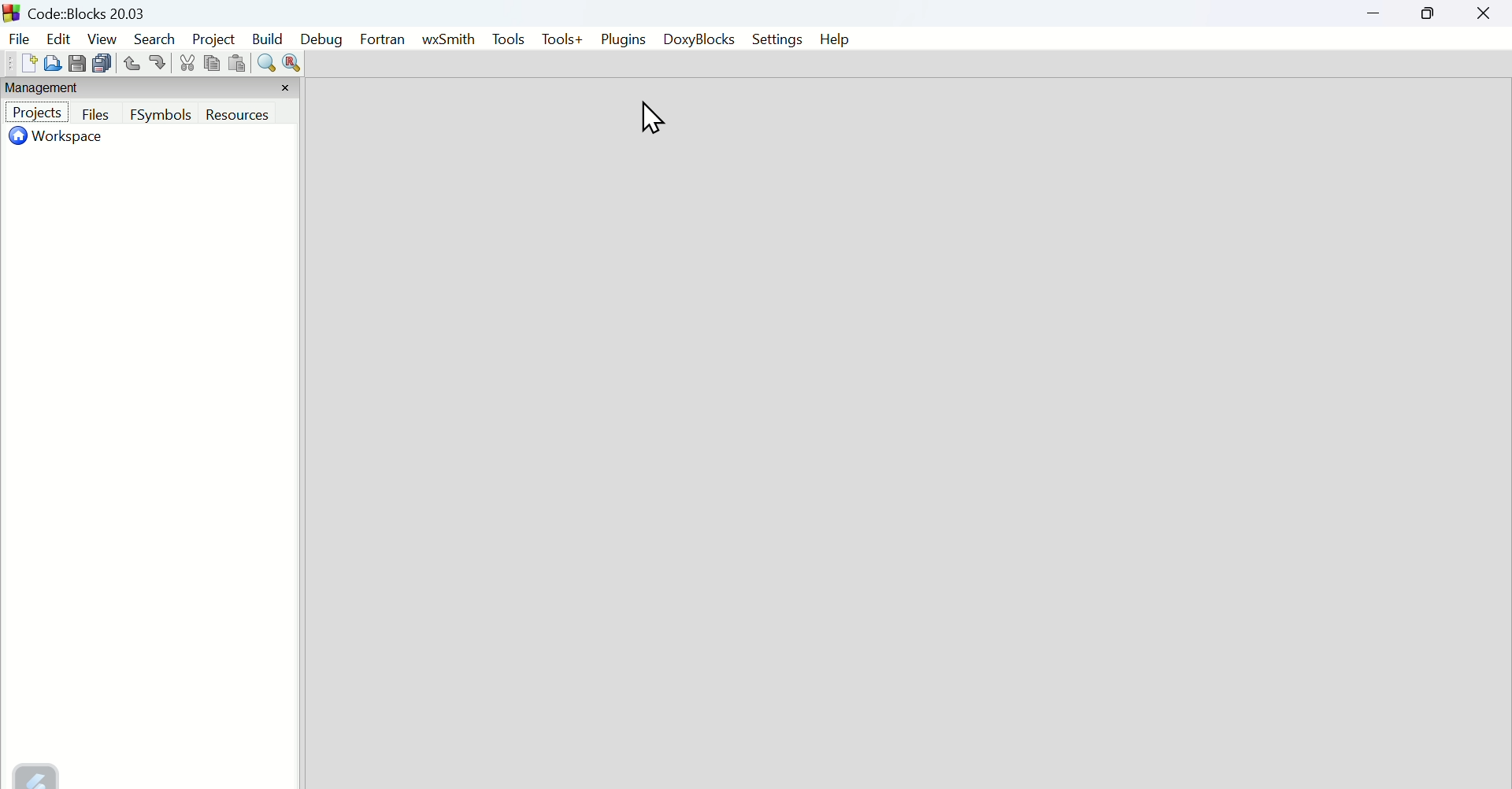 The width and height of the screenshot is (1512, 789). What do you see at coordinates (777, 39) in the screenshot?
I see `Settings` at bounding box center [777, 39].